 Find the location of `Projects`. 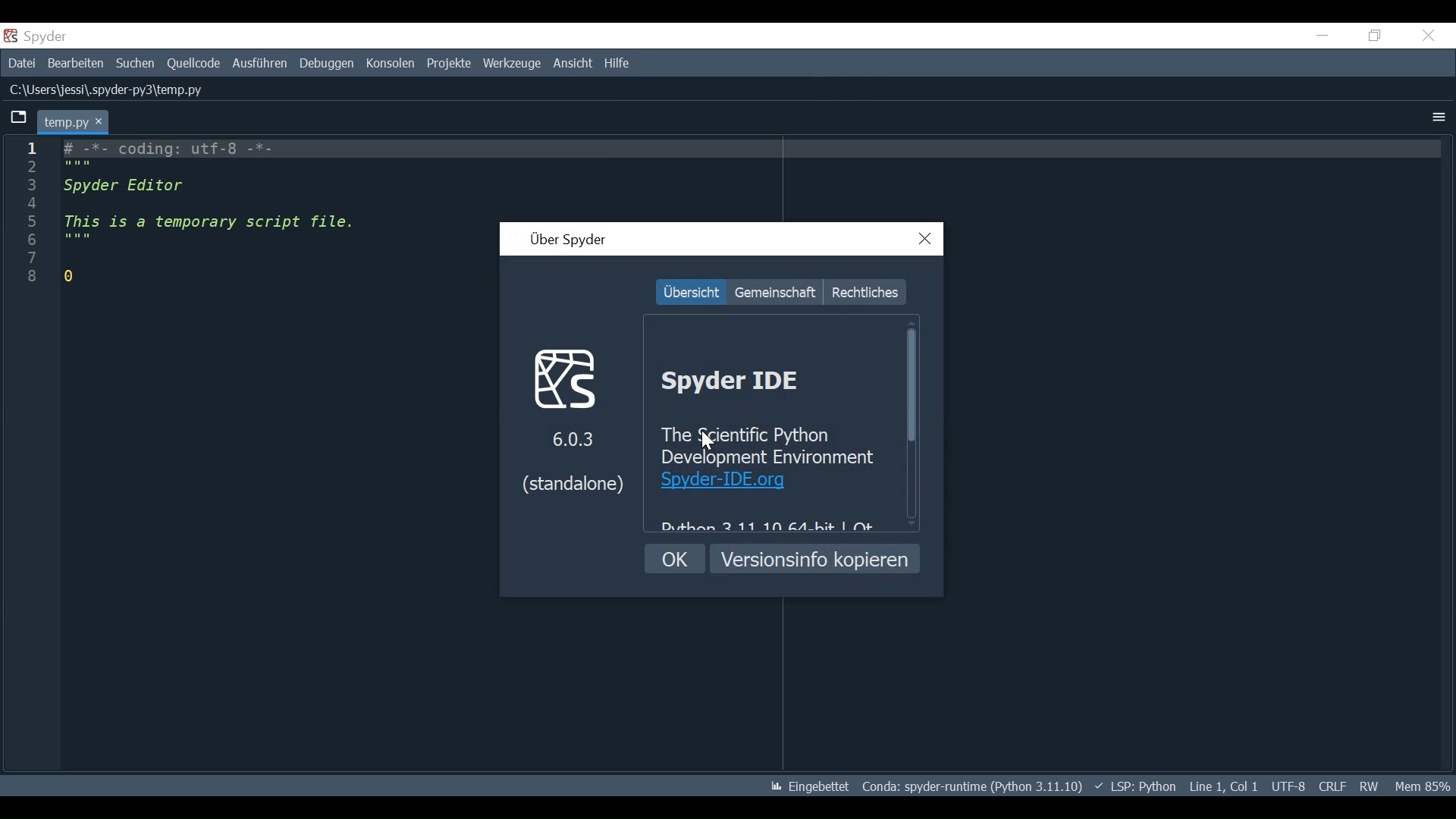

Projects is located at coordinates (447, 64).